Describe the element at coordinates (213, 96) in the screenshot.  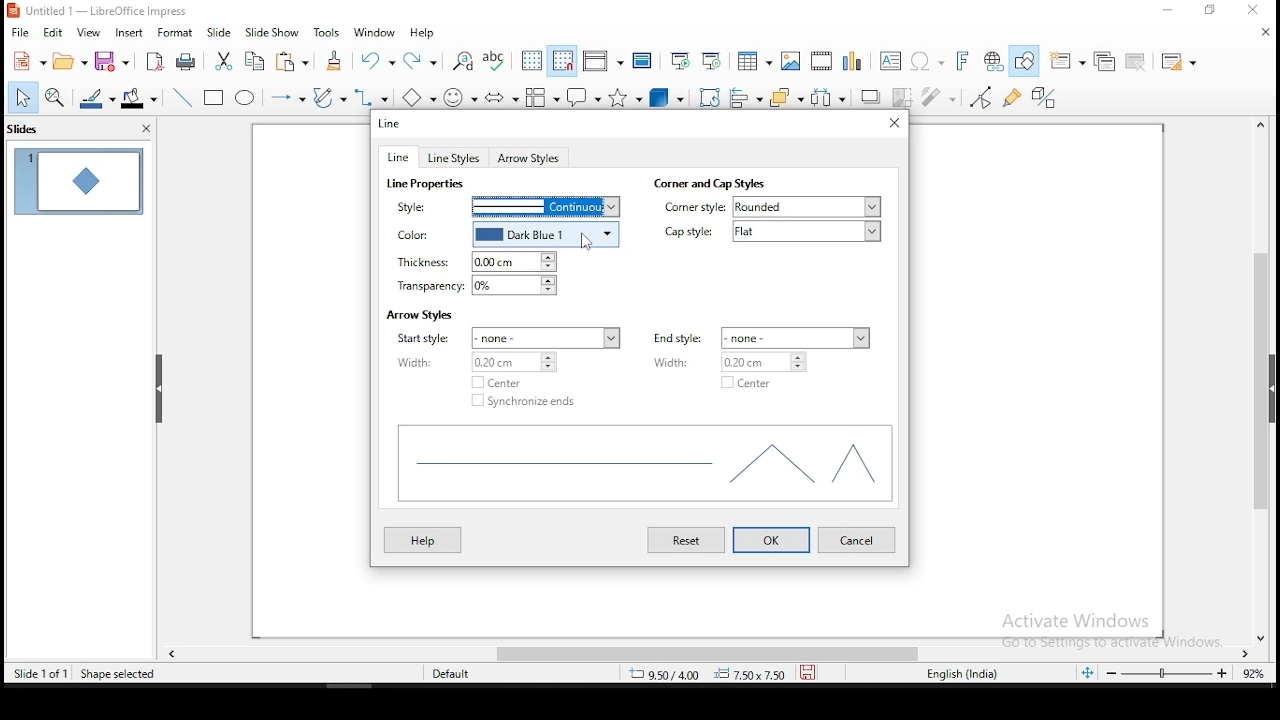
I see `rectangle` at that location.